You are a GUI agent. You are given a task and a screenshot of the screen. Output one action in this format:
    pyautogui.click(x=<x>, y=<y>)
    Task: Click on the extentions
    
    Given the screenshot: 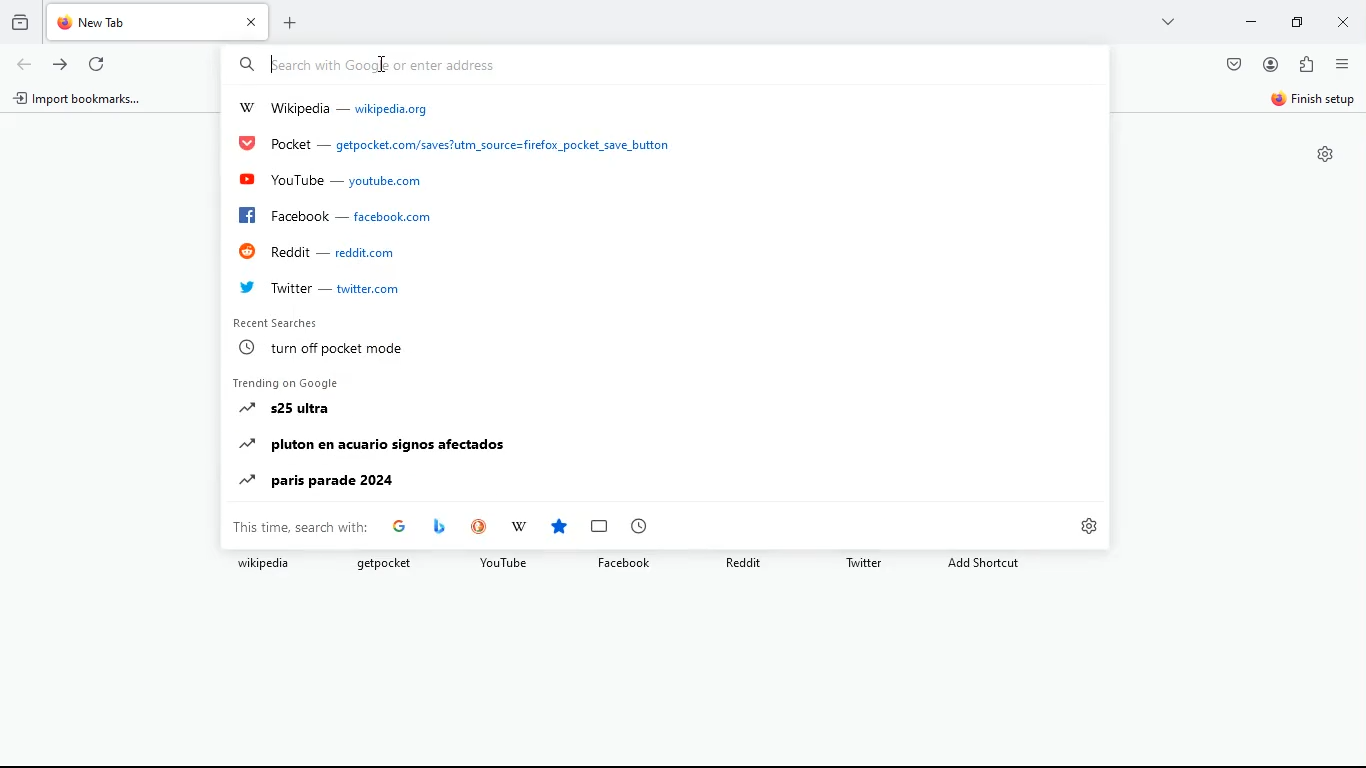 What is the action you would take?
    pyautogui.click(x=1309, y=65)
    